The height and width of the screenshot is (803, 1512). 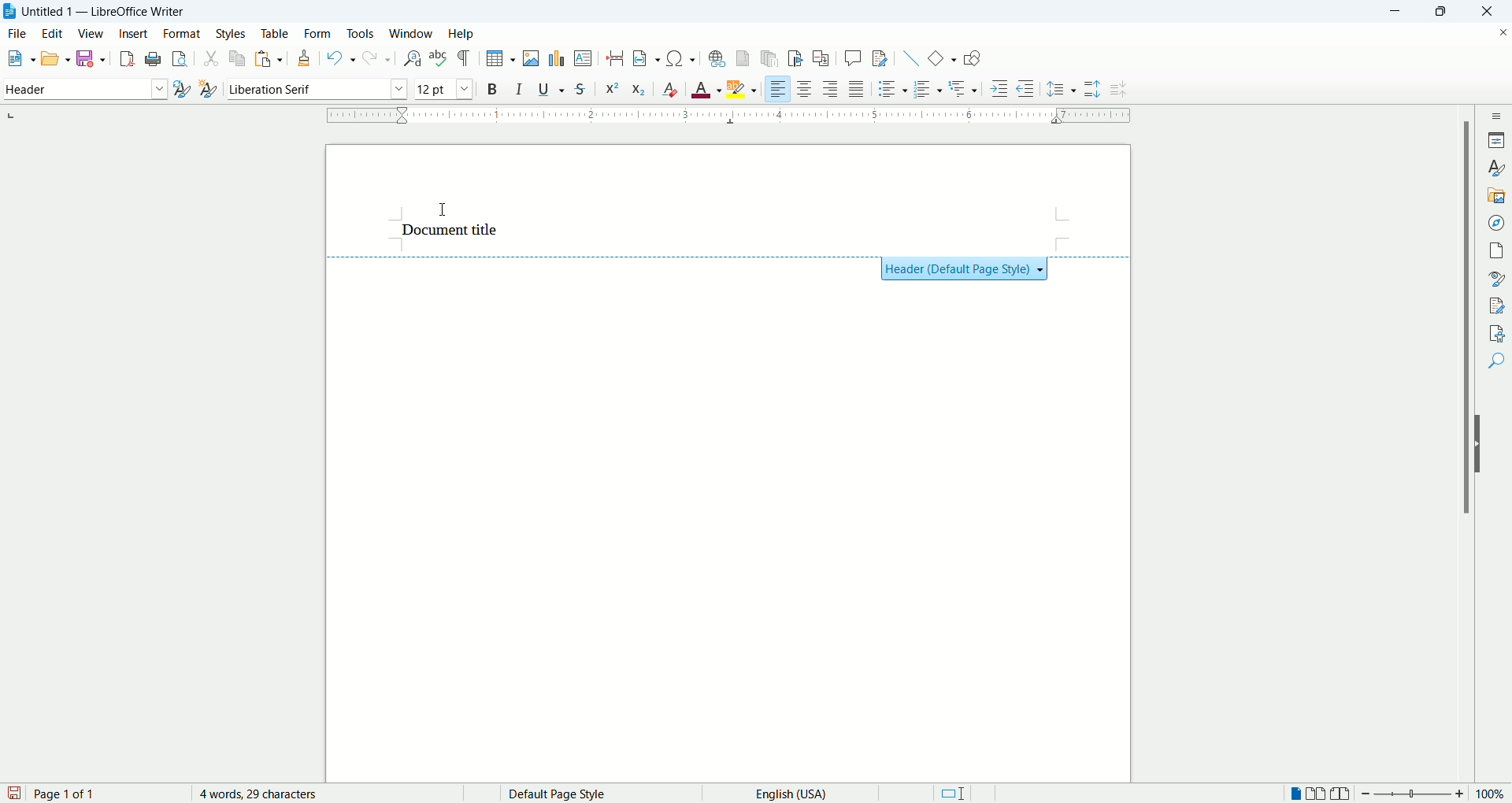 I want to click on align center, so click(x=803, y=88).